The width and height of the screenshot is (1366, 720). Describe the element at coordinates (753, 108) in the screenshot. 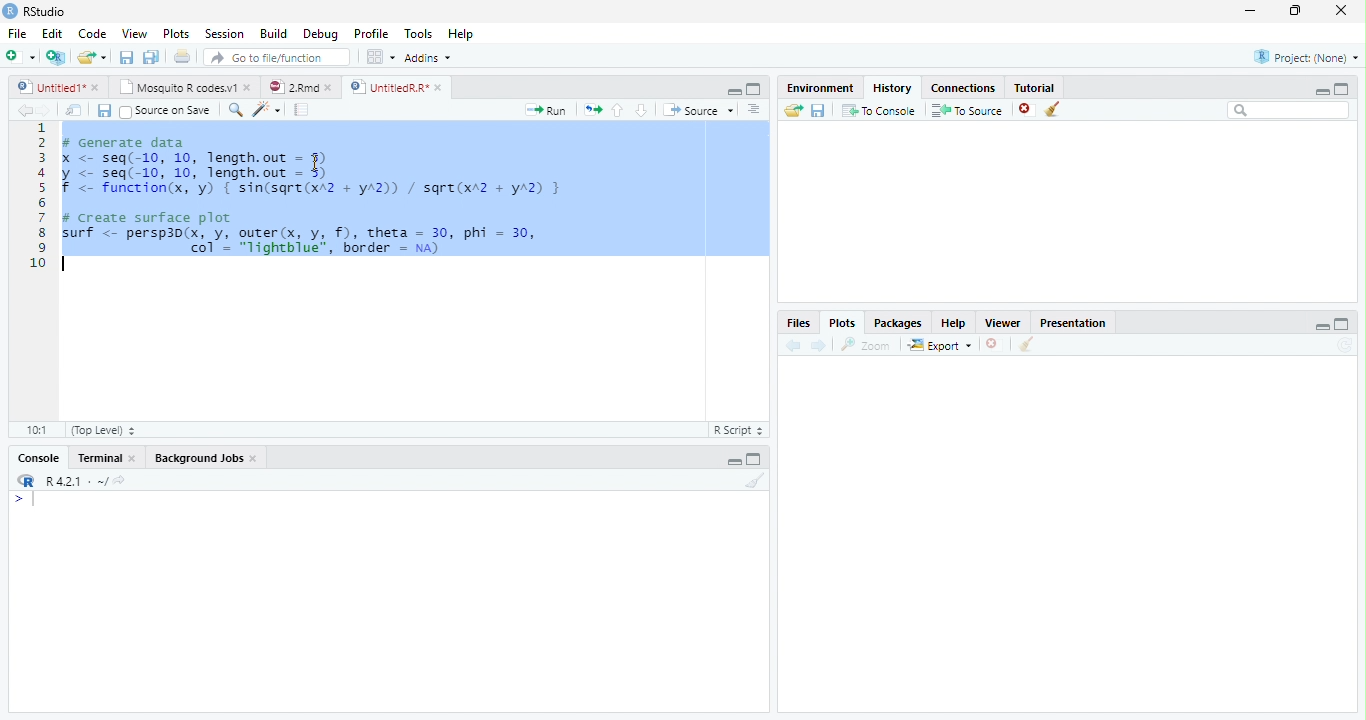

I see `Show document outline` at that location.